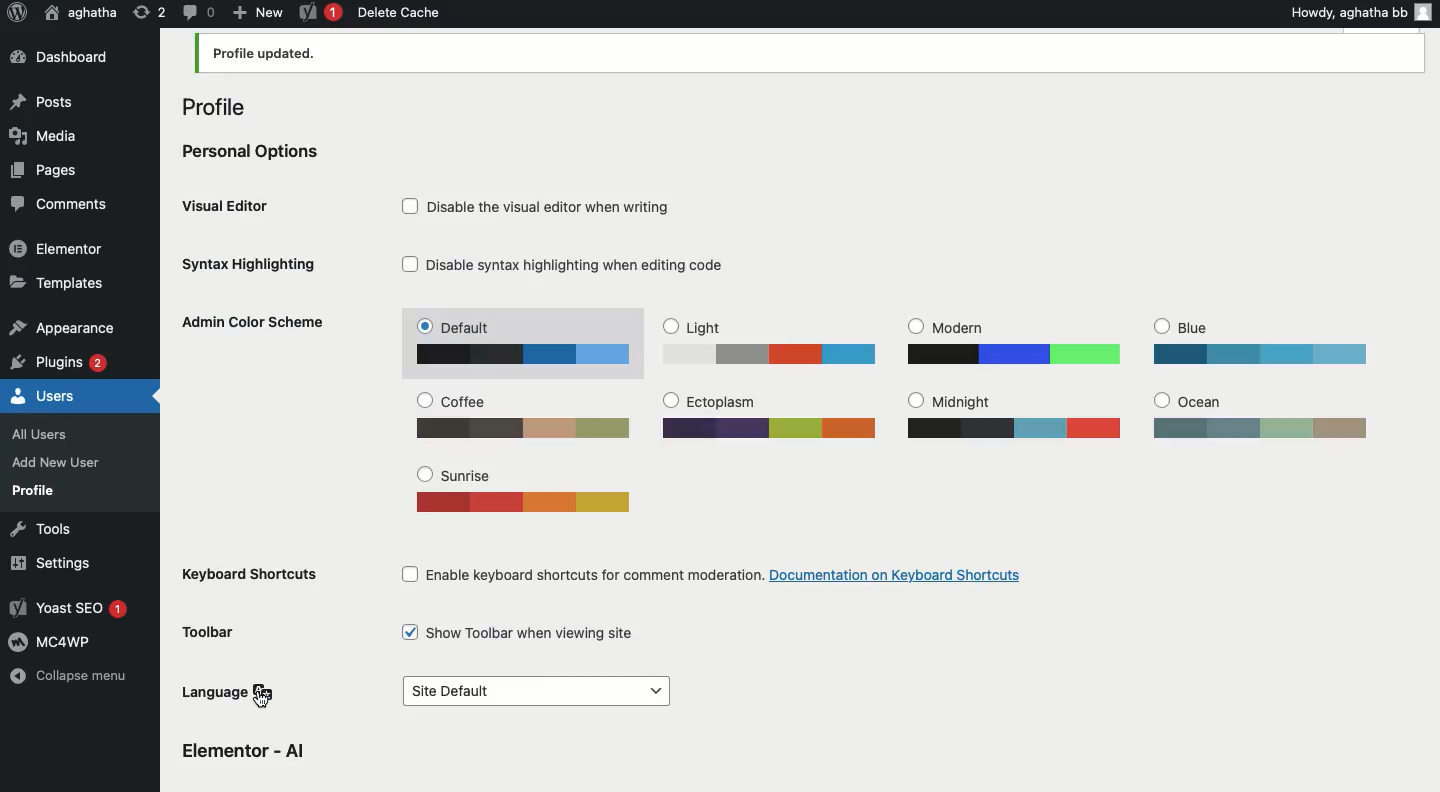  What do you see at coordinates (68, 58) in the screenshot?
I see `Dashboard` at bounding box center [68, 58].